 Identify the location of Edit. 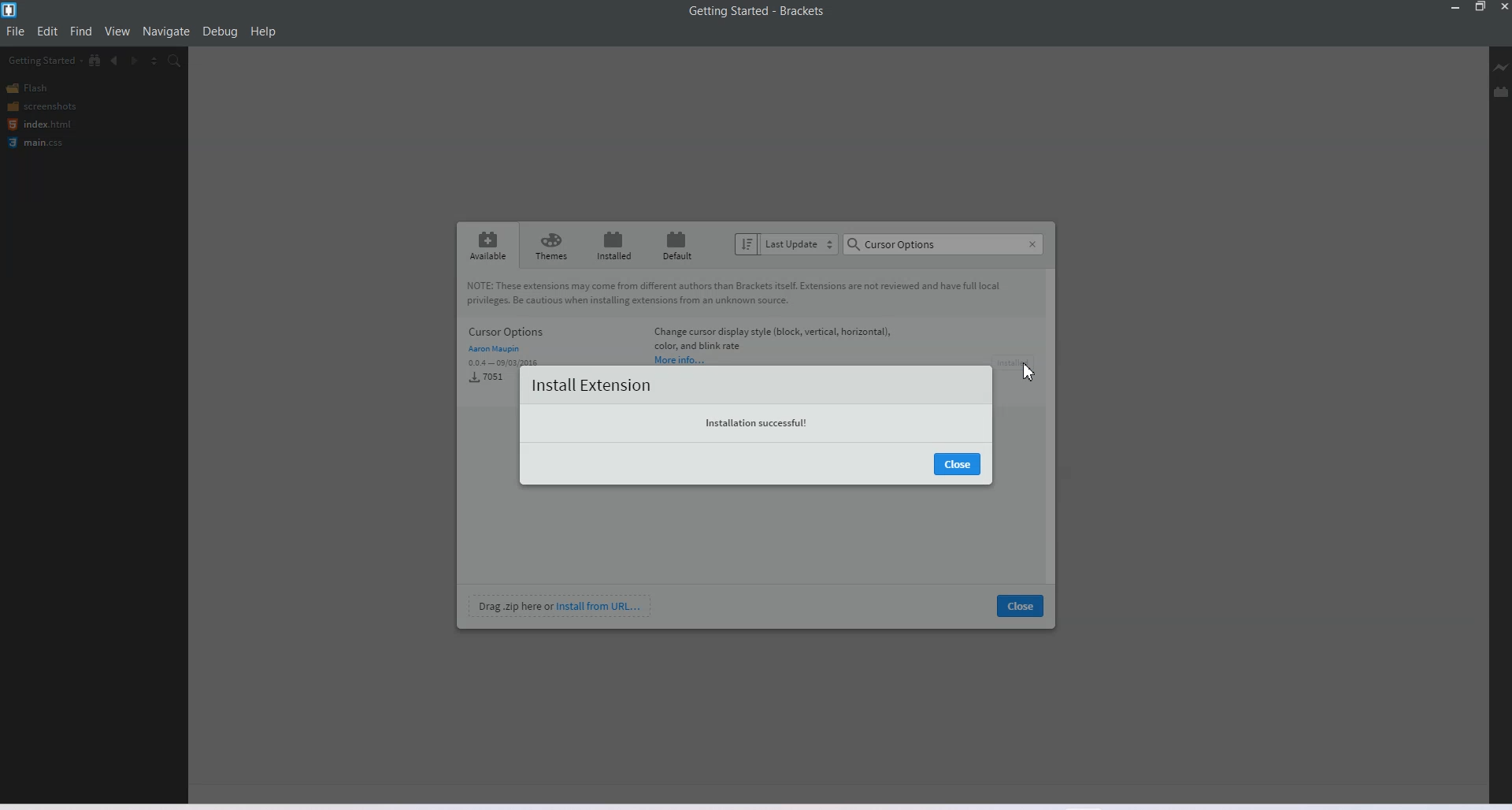
(47, 32).